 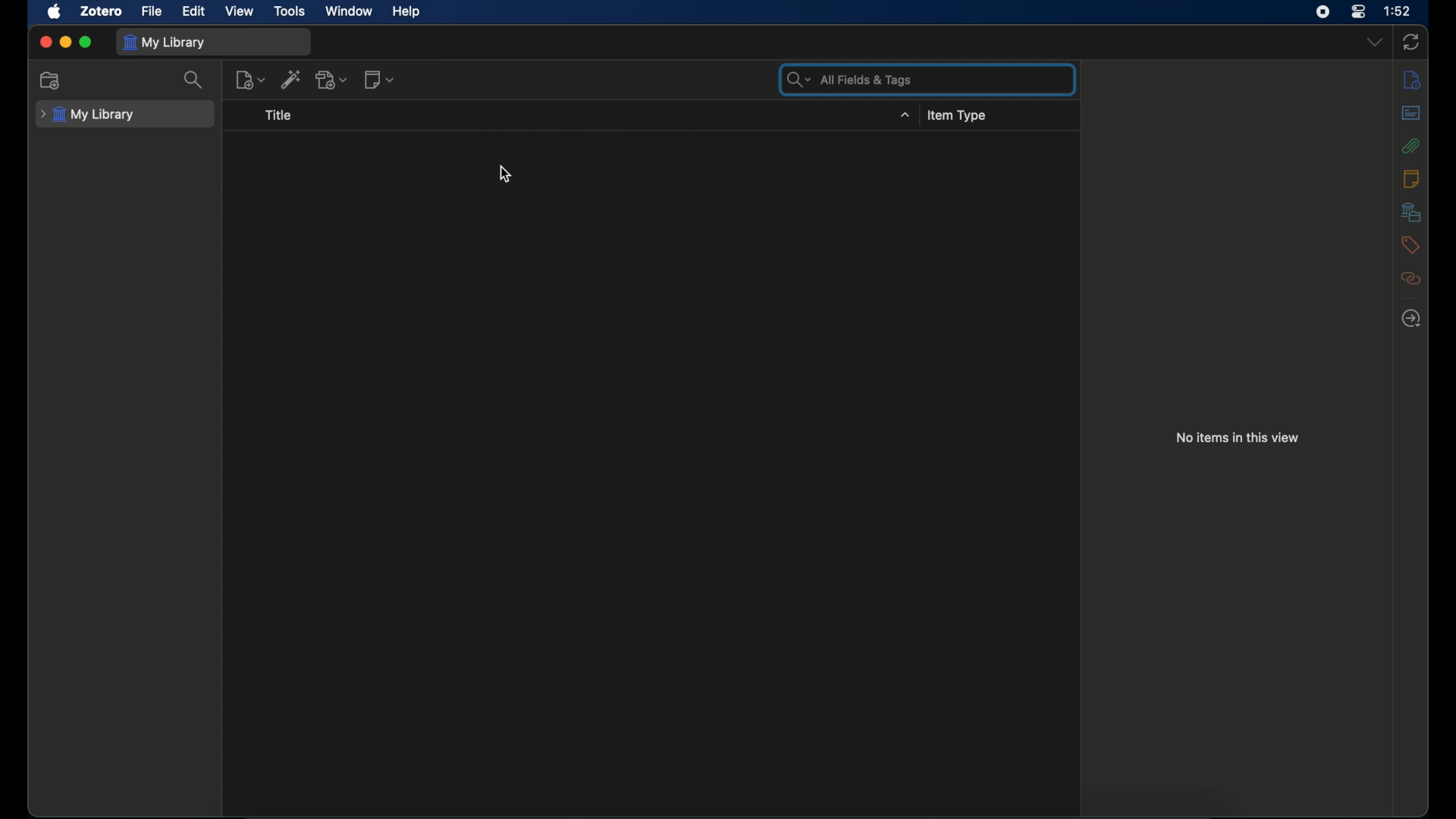 I want to click on attachments, so click(x=1410, y=146).